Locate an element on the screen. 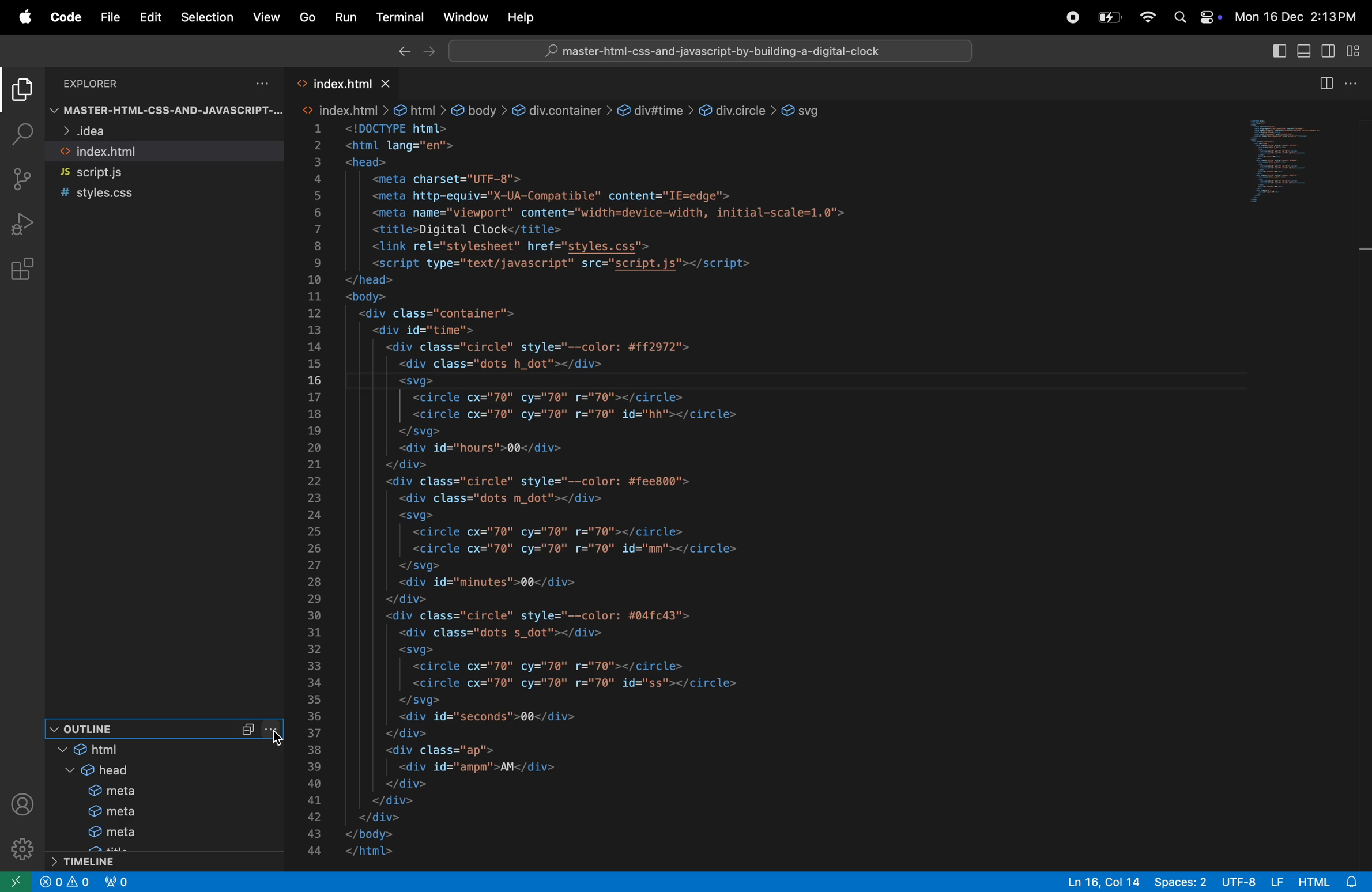  settings is located at coordinates (21, 848).